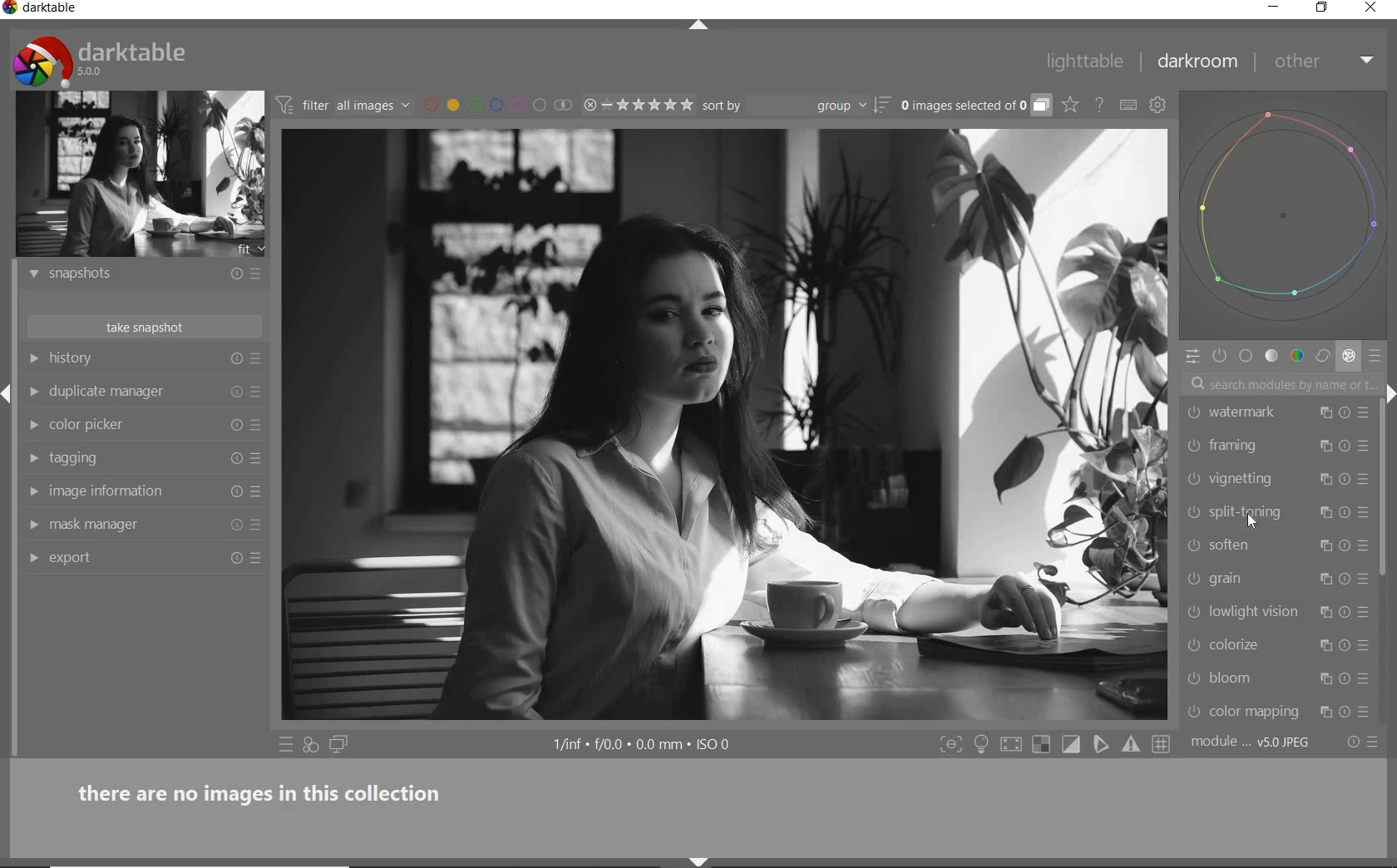 This screenshot has height=868, width=1397. What do you see at coordinates (1194, 712) in the screenshot?
I see `'color mapping' is switched off` at bounding box center [1194, 712].